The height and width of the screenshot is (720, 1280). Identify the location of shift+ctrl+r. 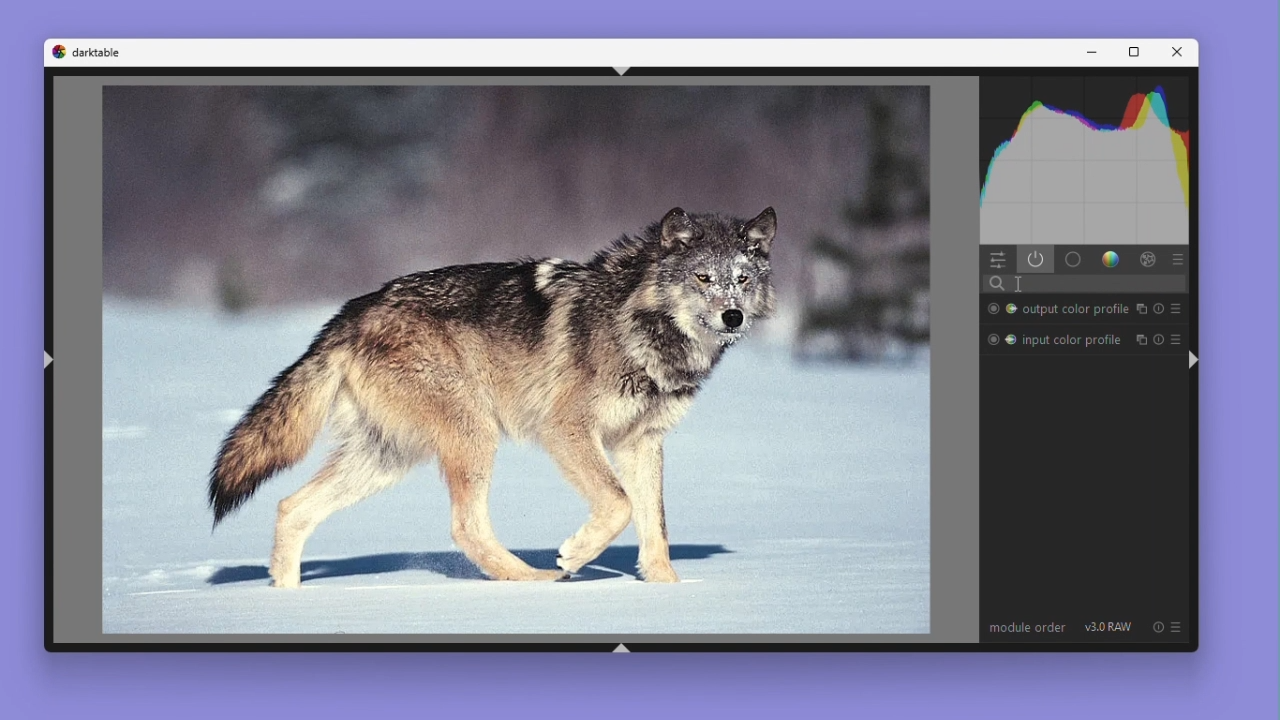
(1192, 359).